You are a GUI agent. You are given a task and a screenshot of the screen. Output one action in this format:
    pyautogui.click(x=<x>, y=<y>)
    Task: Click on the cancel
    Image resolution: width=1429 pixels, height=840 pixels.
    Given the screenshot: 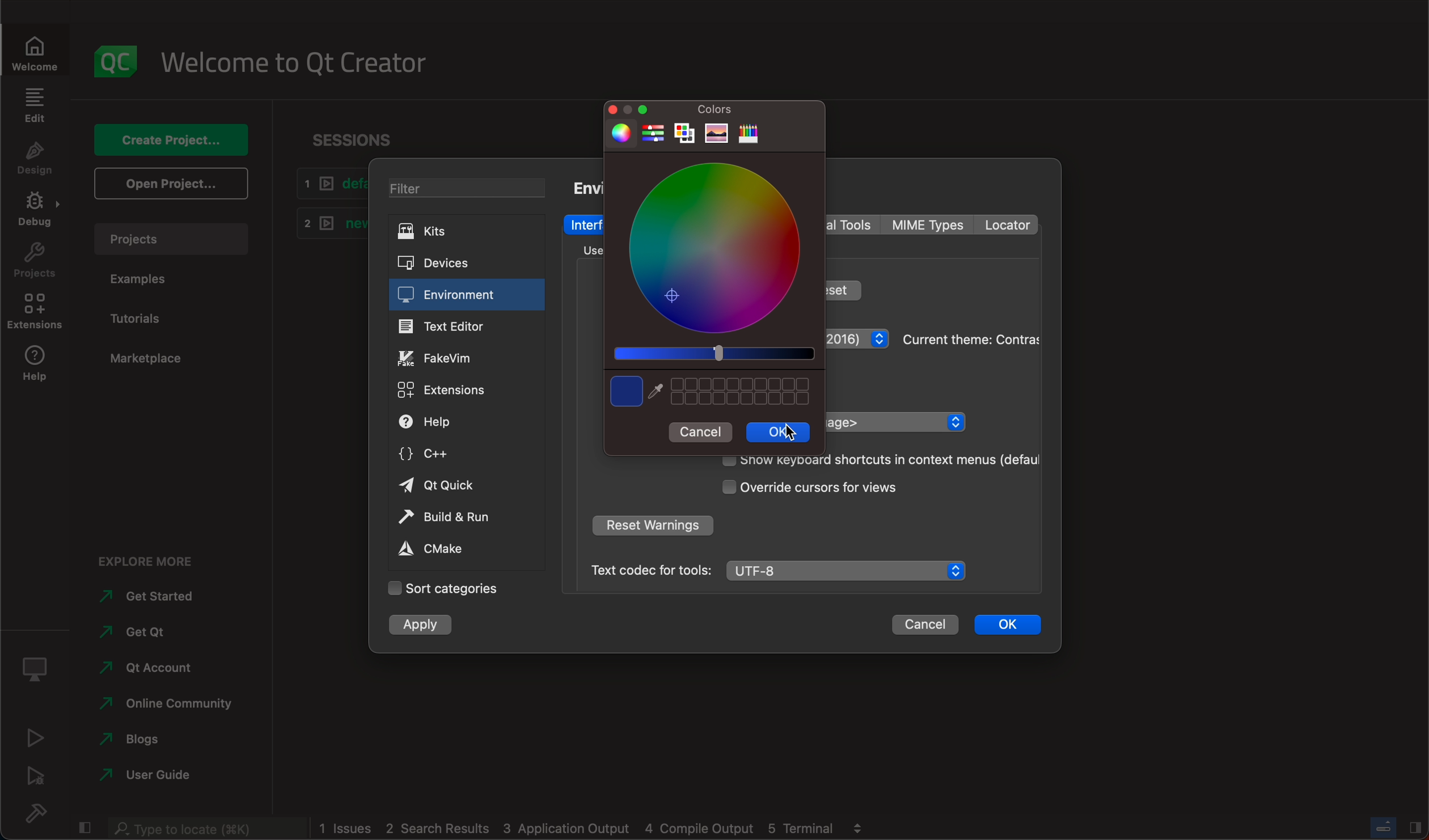 What is the action you would take?
    pyautogui.click(x=701, y=431)
    